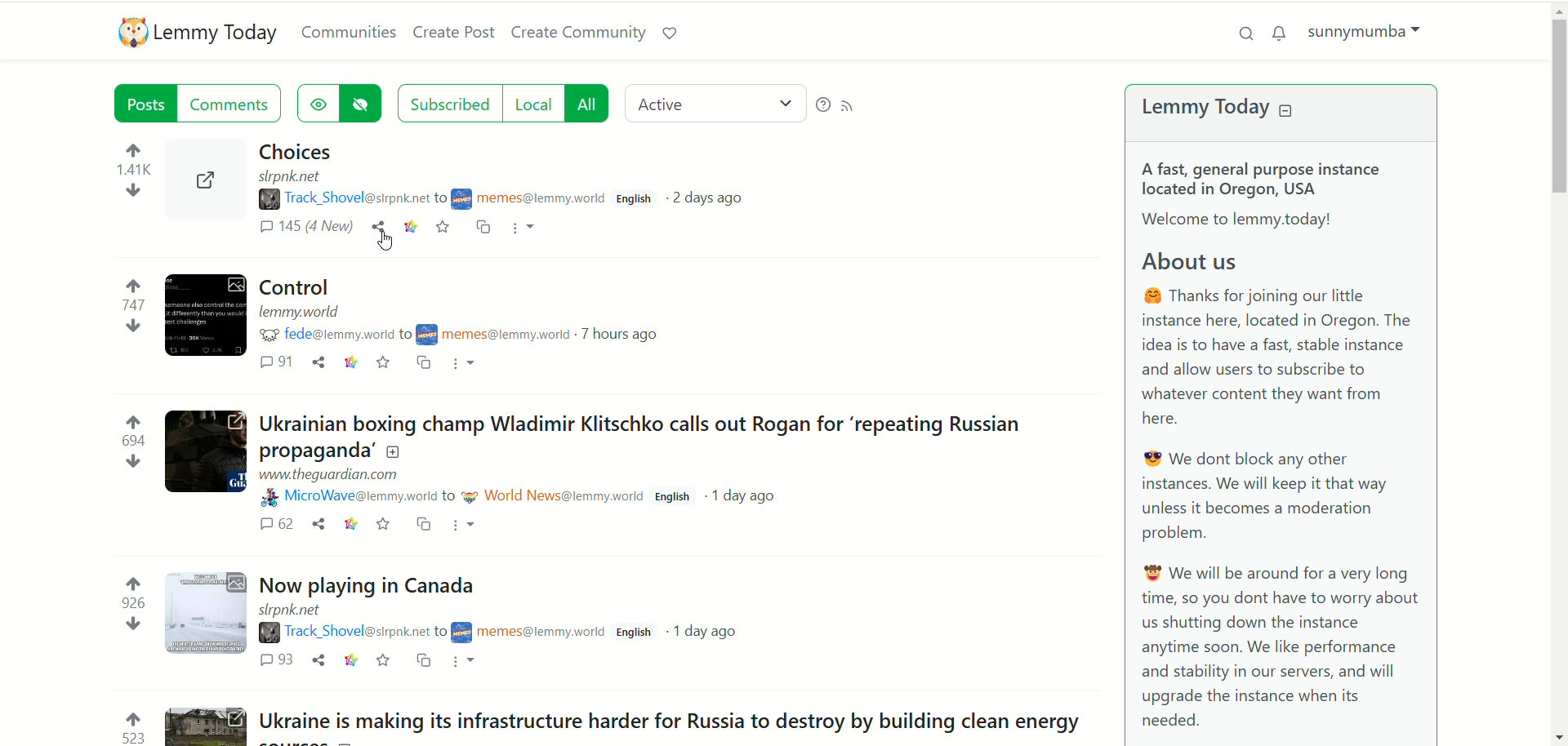 The image size is (1568, 746). Describe the element at coordinates (469, 363) in the screenshot. I see `more` at that location.